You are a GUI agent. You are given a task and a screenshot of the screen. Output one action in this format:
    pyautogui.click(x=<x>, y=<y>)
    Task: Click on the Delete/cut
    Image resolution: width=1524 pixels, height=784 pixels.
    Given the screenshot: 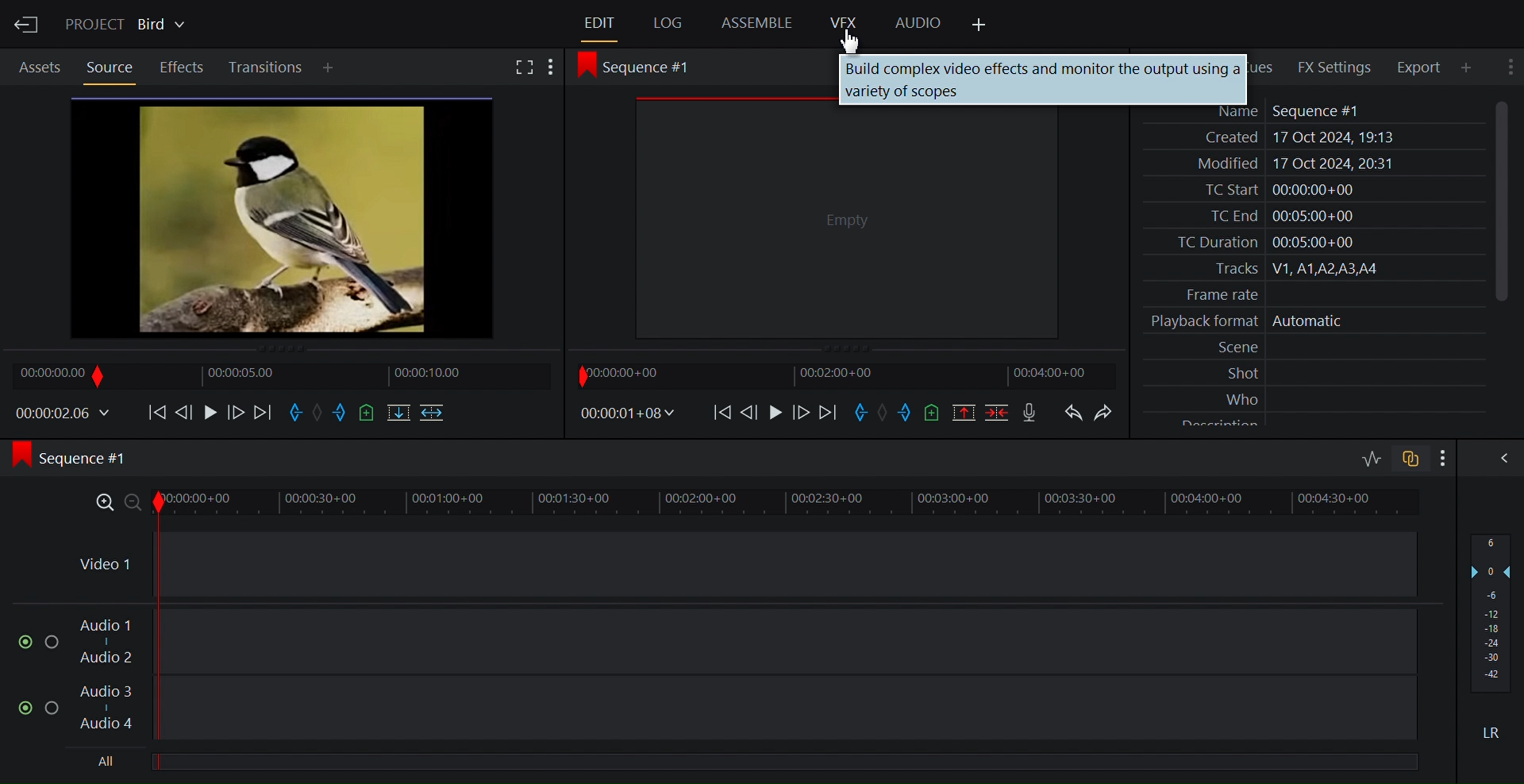 What is the action you would take?
    pyautogui.click(x=999, y=414)
    